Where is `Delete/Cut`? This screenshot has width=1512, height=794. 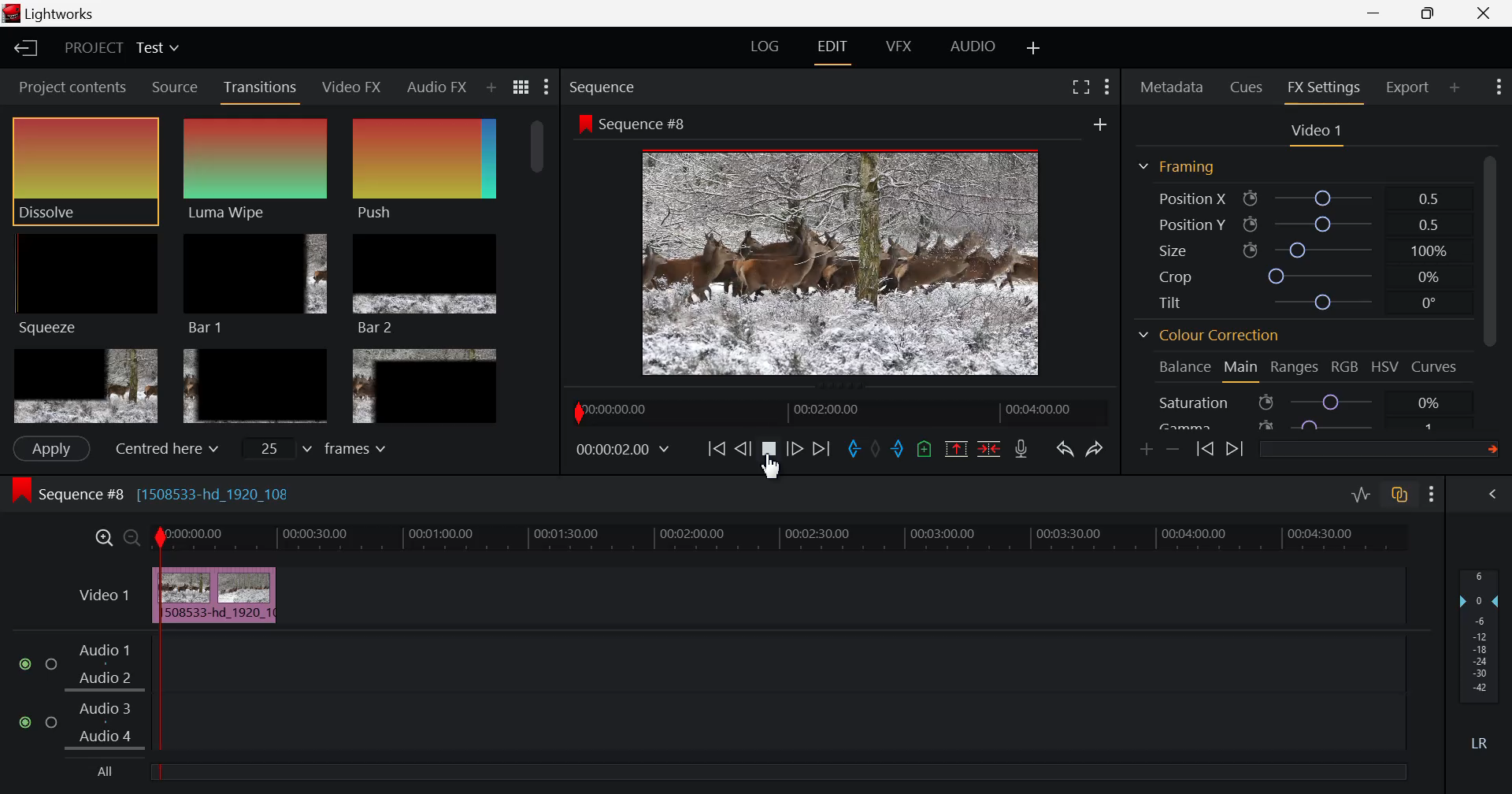
Delete/Cut is located at coordinates (989, 447).